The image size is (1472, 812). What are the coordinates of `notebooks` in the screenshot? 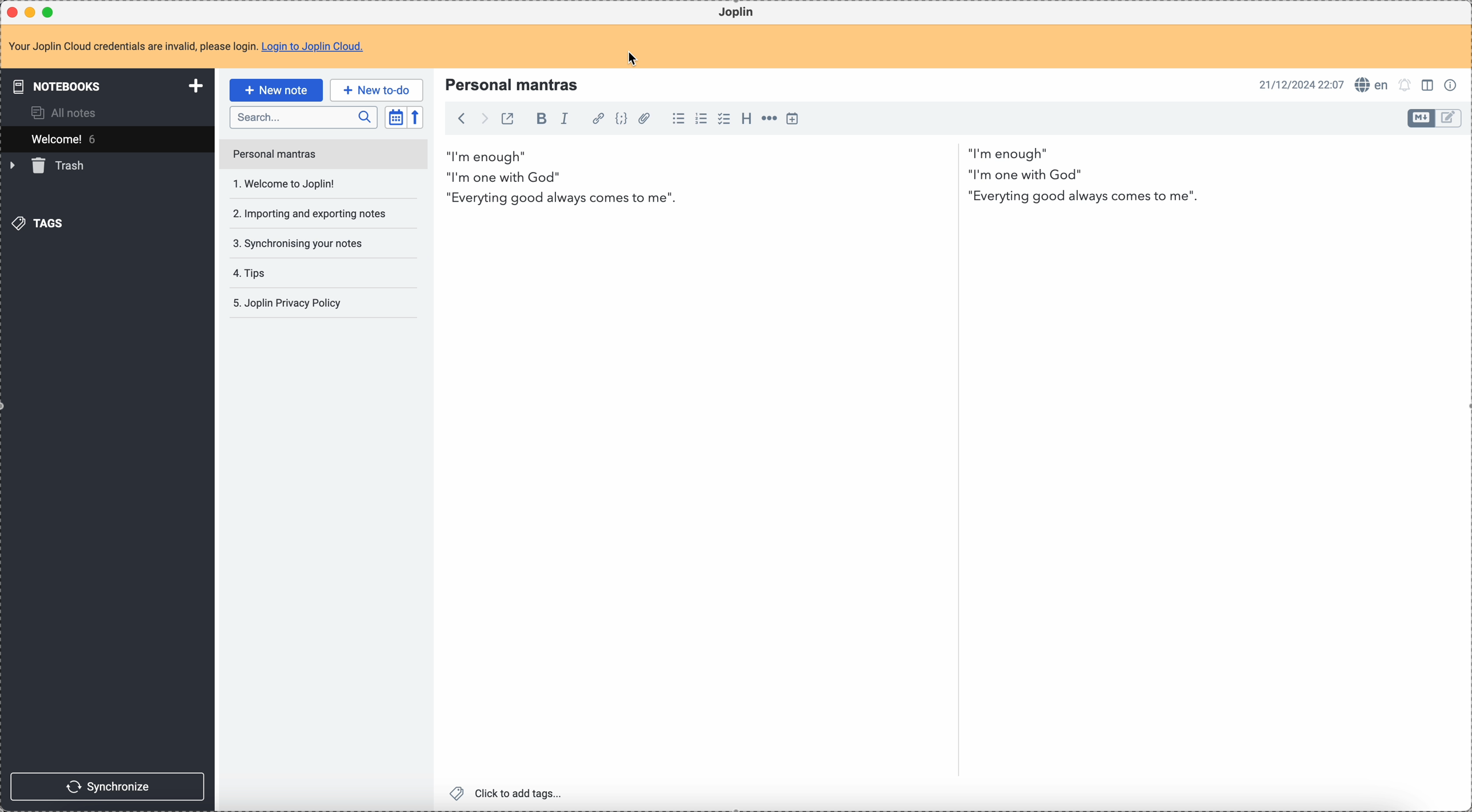 It's located at (107, 85).